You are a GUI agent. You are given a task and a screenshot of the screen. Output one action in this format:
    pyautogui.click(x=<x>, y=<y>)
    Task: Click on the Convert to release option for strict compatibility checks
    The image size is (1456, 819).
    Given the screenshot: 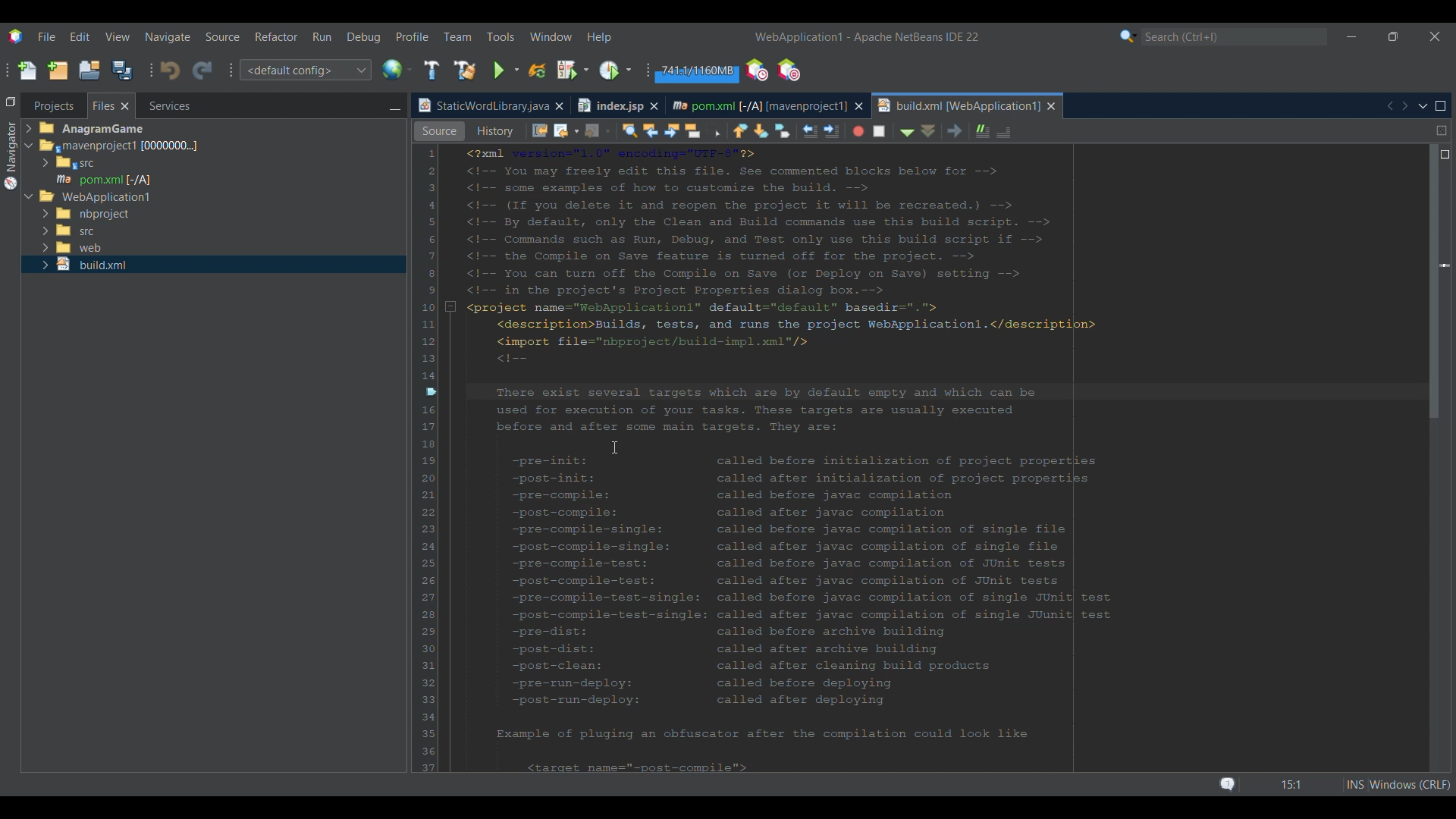 What is the action you would take?
    pyautogui.click(x=431, y=317)
    